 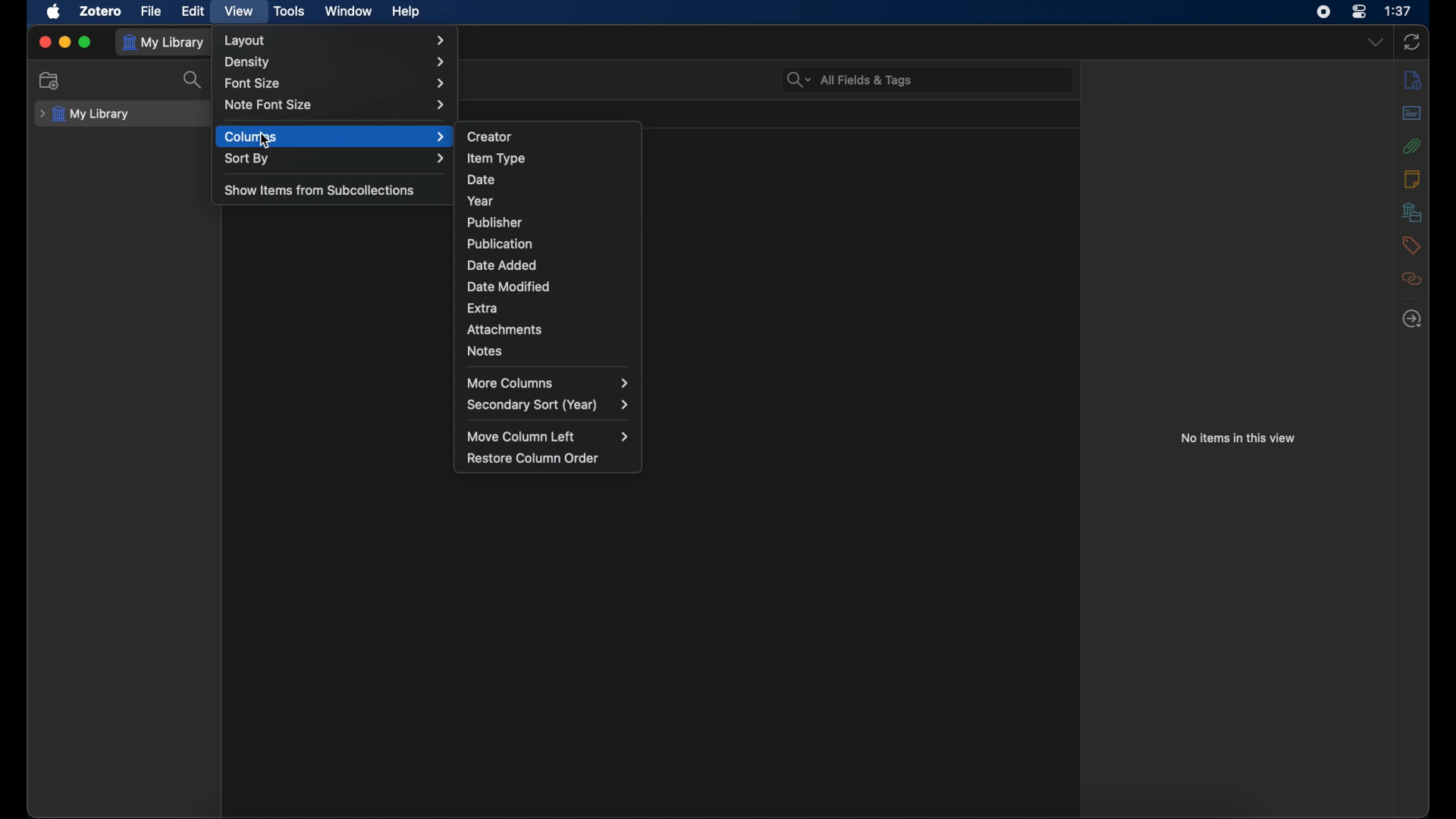 What do you see at coordinates (485, 351) in the screenshot?
I see `notes` at bounding box center [485, 351].